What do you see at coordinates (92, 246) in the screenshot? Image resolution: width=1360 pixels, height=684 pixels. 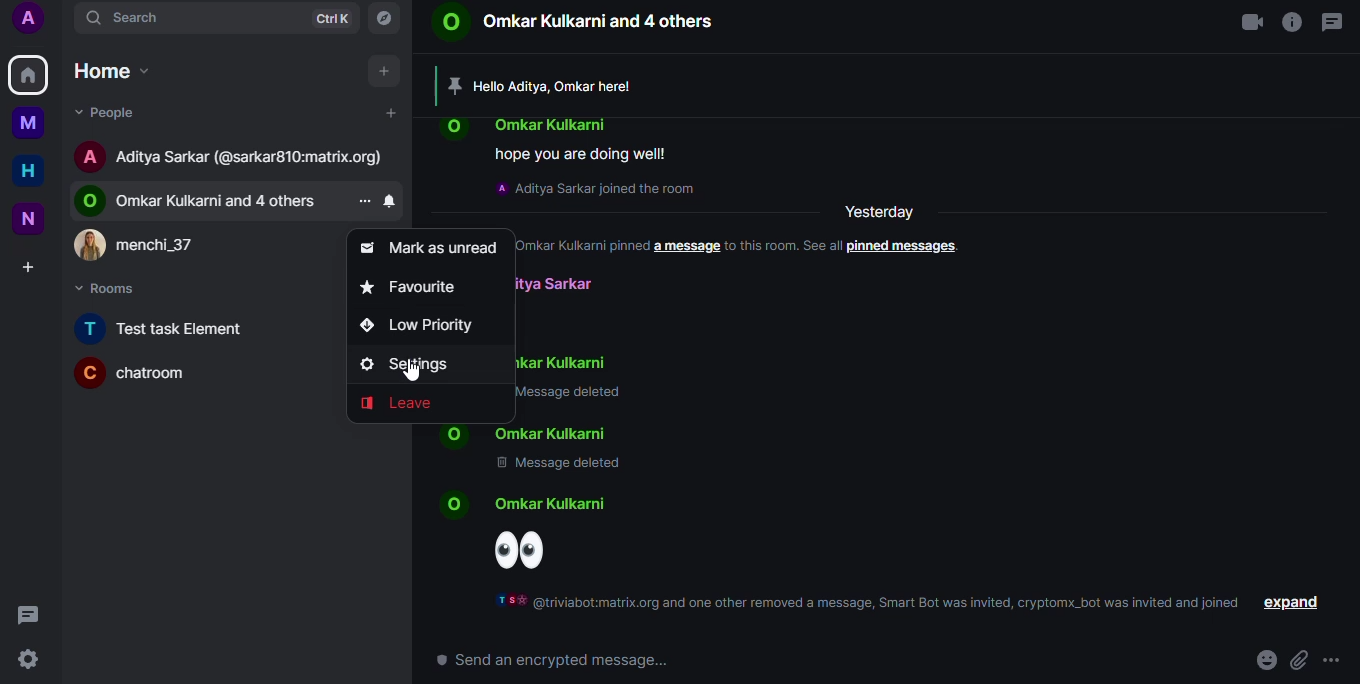 I see `profile image` at bounding box center [92, 246].